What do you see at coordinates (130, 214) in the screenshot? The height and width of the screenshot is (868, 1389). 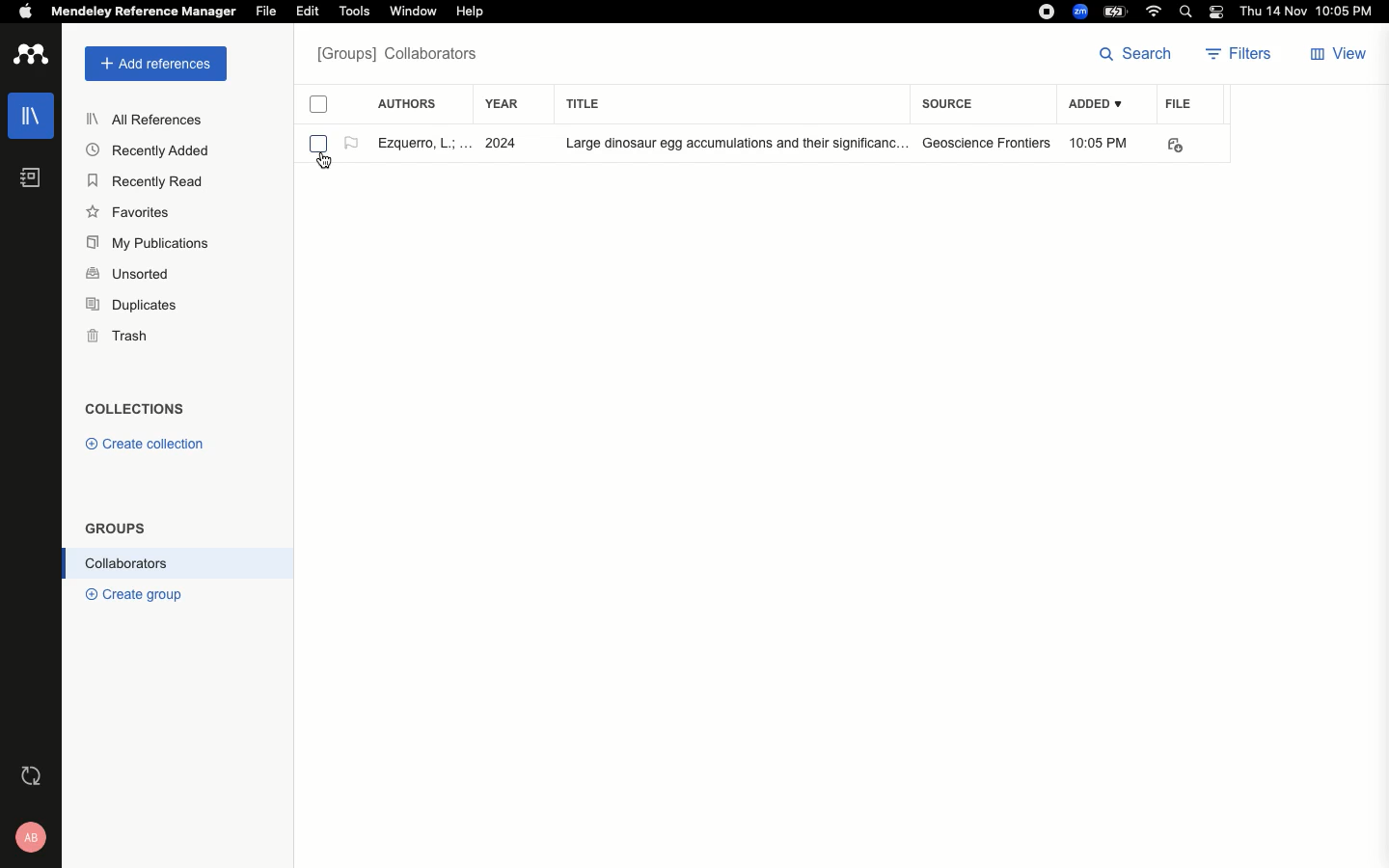 I see `Favorites` at bounding box center [130, 214].